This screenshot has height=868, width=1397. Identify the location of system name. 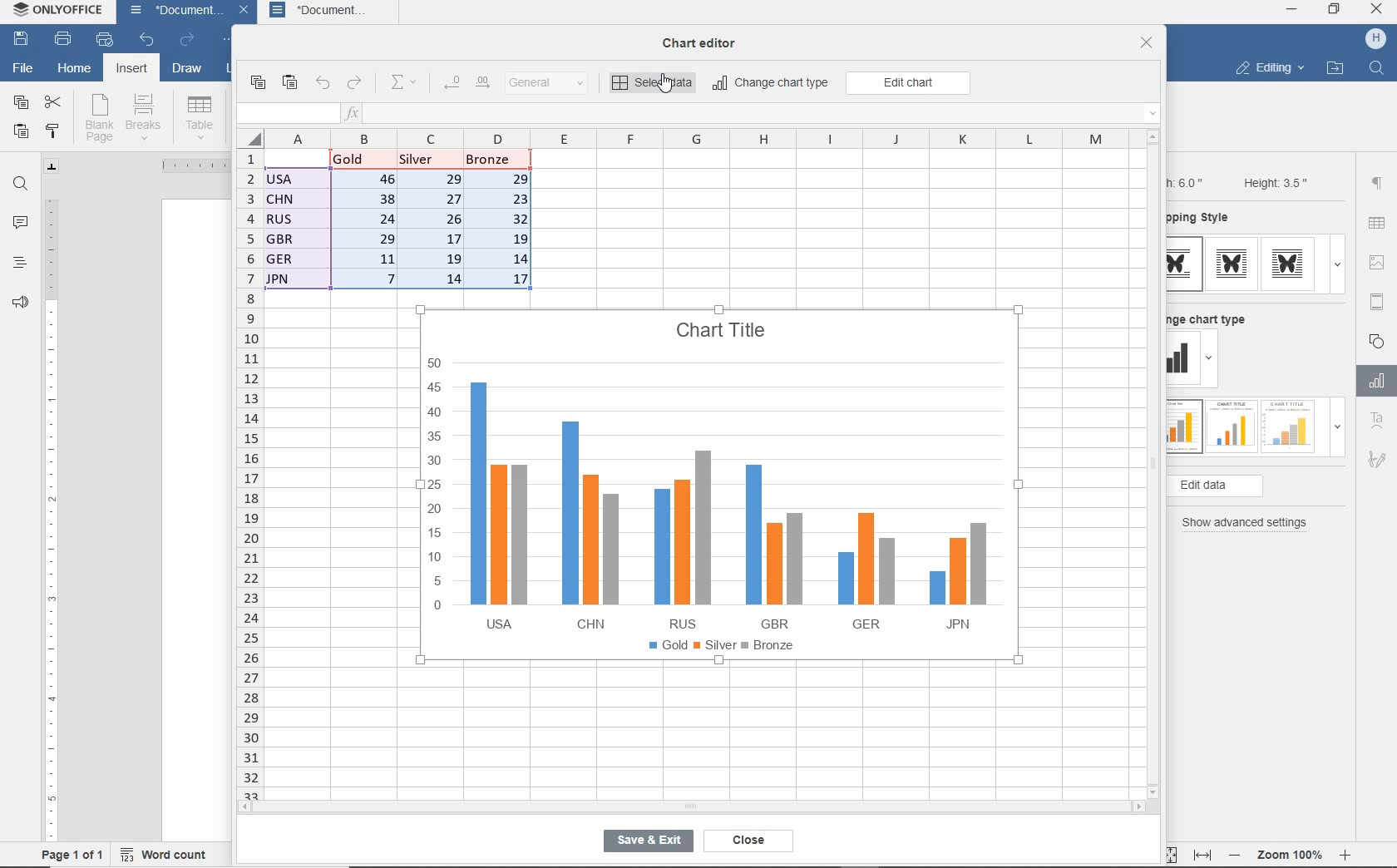
(61, 13).